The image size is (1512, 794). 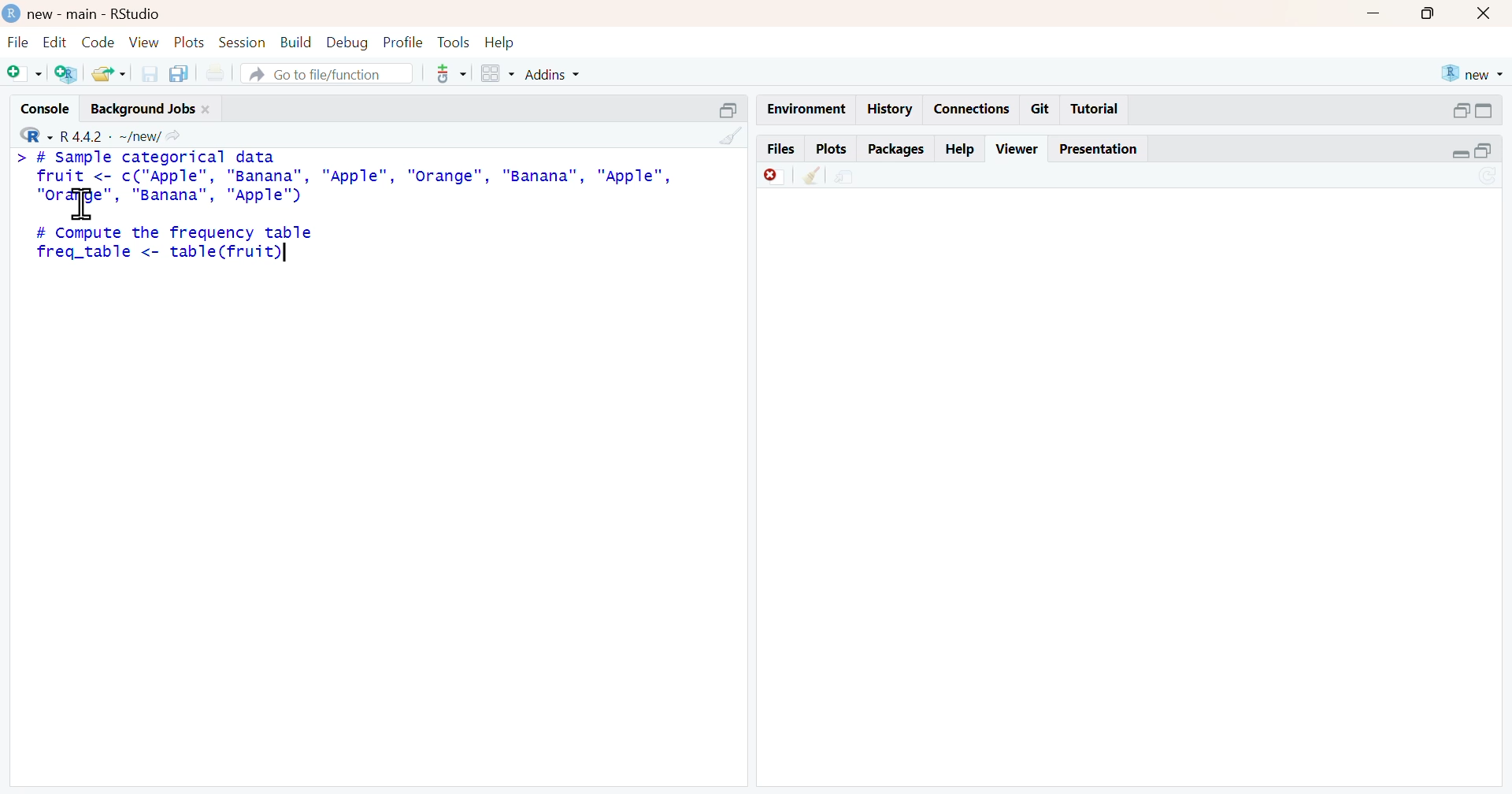 What do you see at coordinates (836, 149) in the screenshot?
I see `plots` at bounding box center [836, 149].